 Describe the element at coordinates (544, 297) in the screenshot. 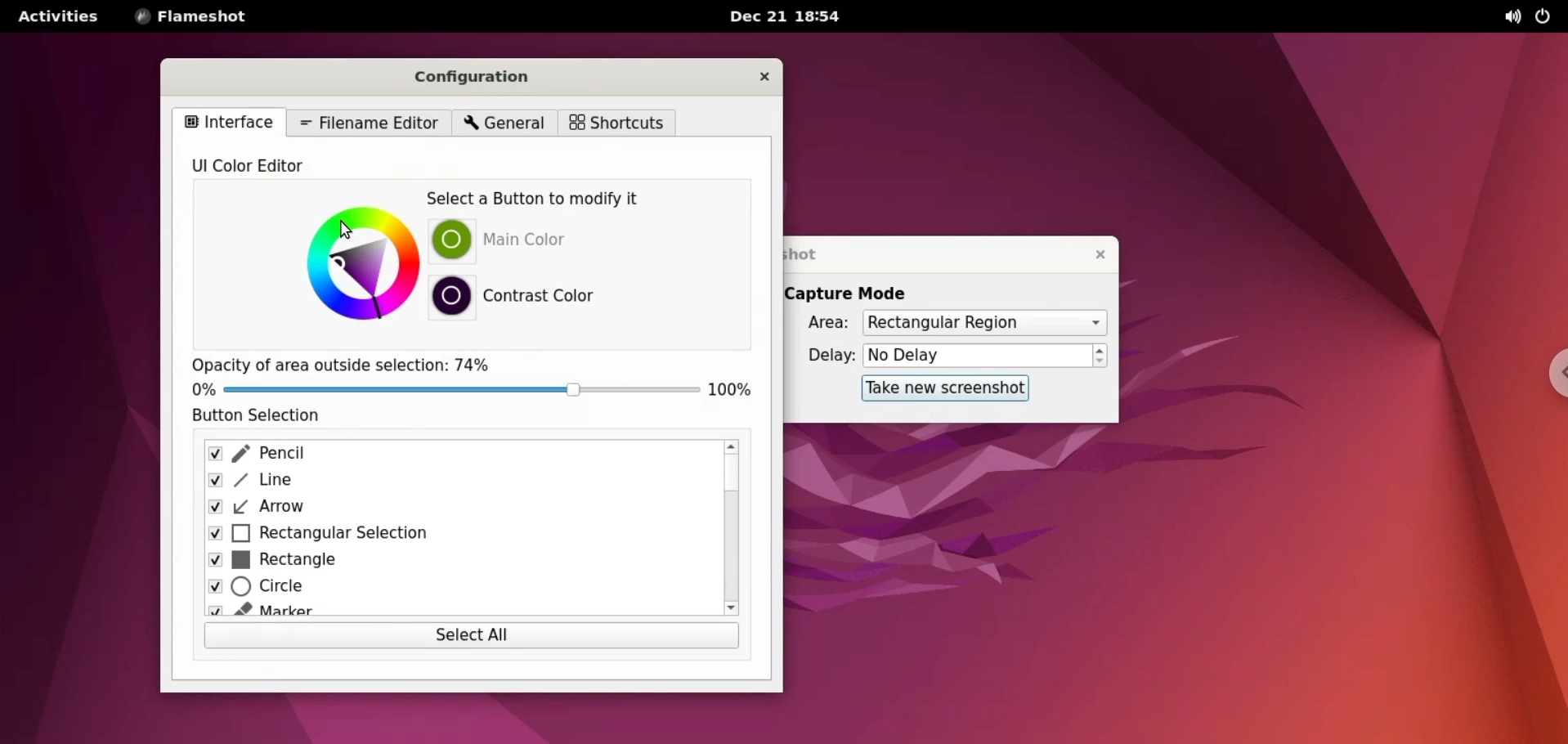

I see `contrast color` at that location.